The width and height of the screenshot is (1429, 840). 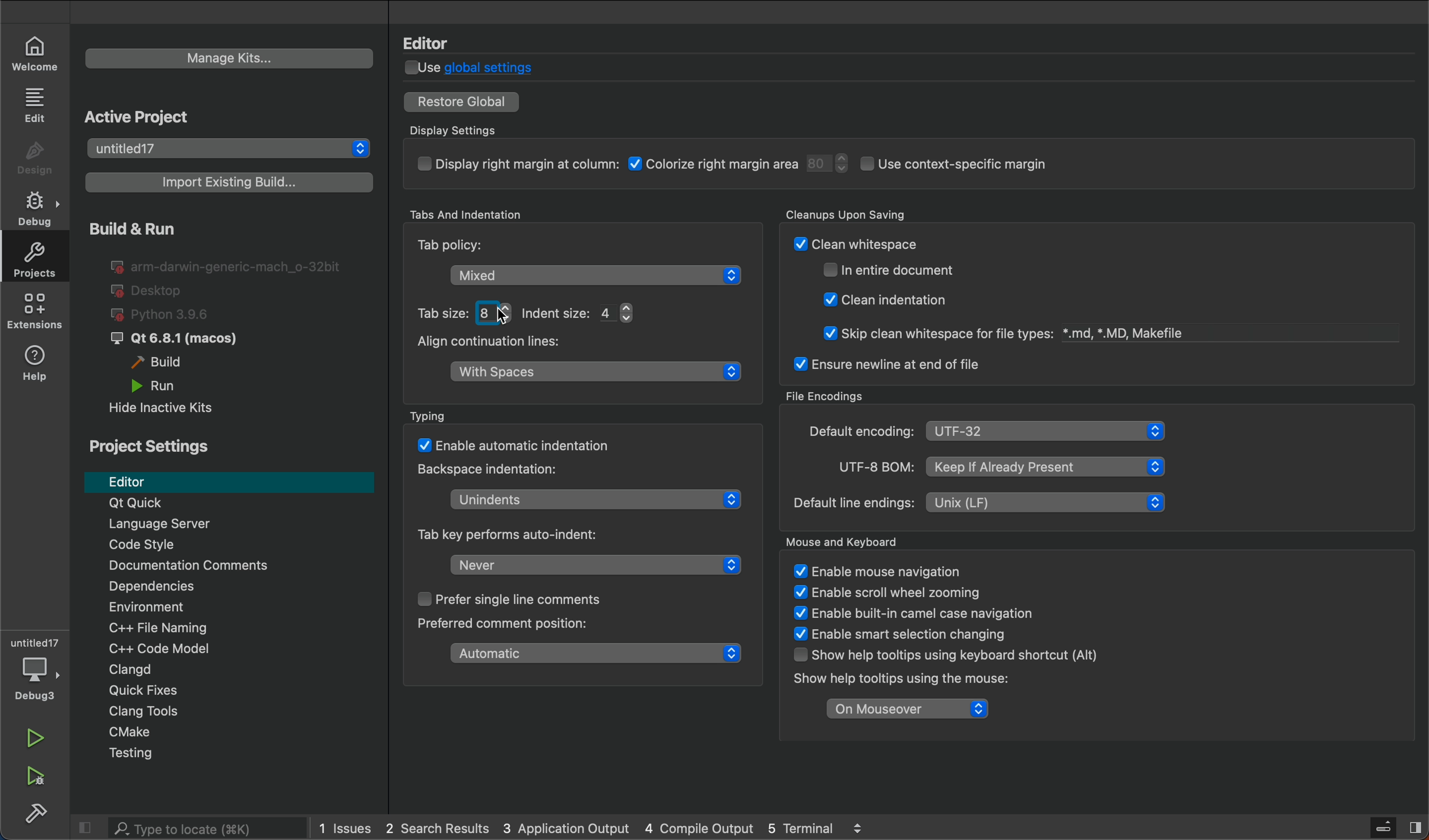 What do you see at coordinates (862, 541) in the screenshot?
I see `Mouse and Keyboard` at bounding box center [862, 541].